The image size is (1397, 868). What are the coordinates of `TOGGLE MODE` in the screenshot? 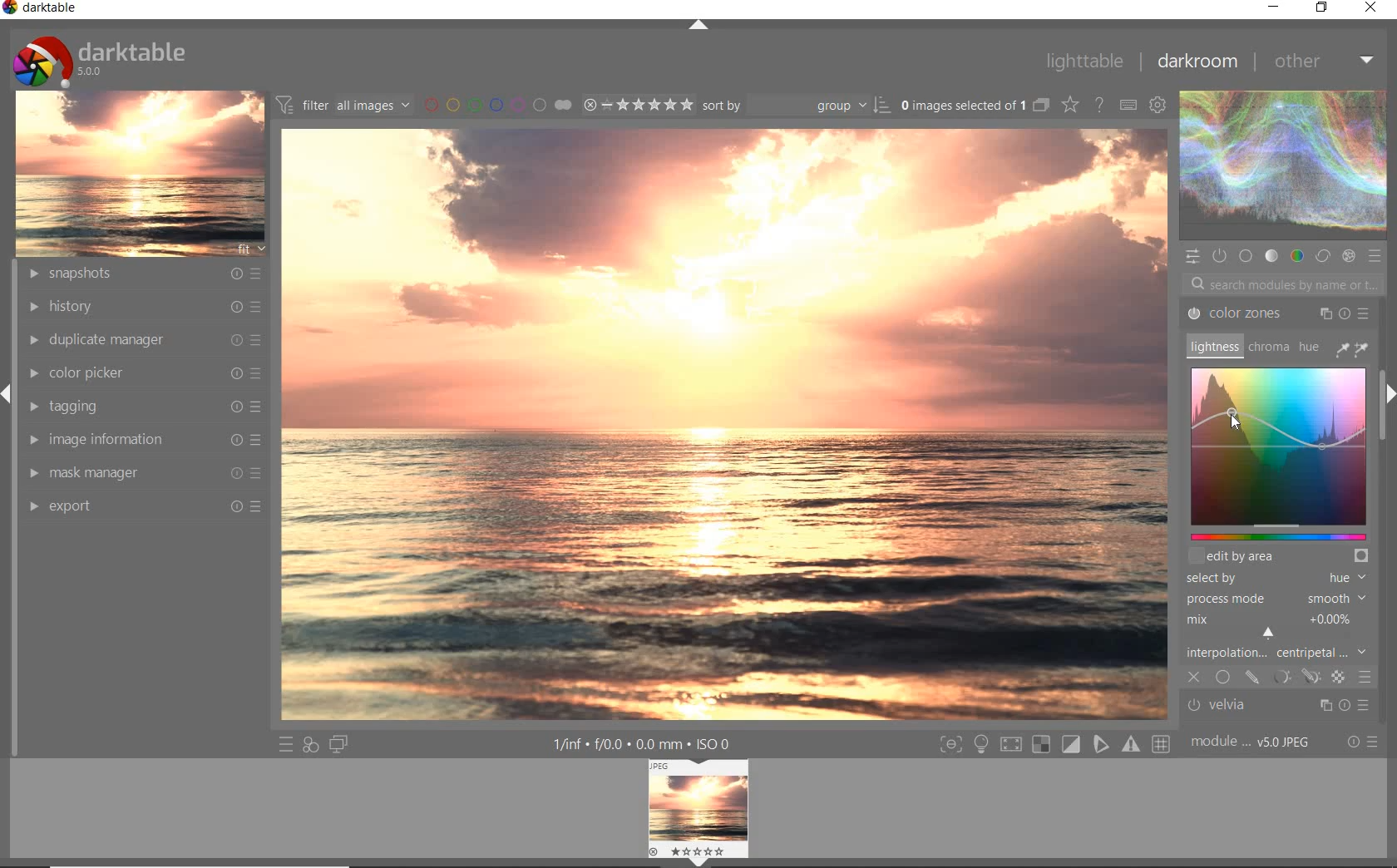 It's located at (1054, 744).